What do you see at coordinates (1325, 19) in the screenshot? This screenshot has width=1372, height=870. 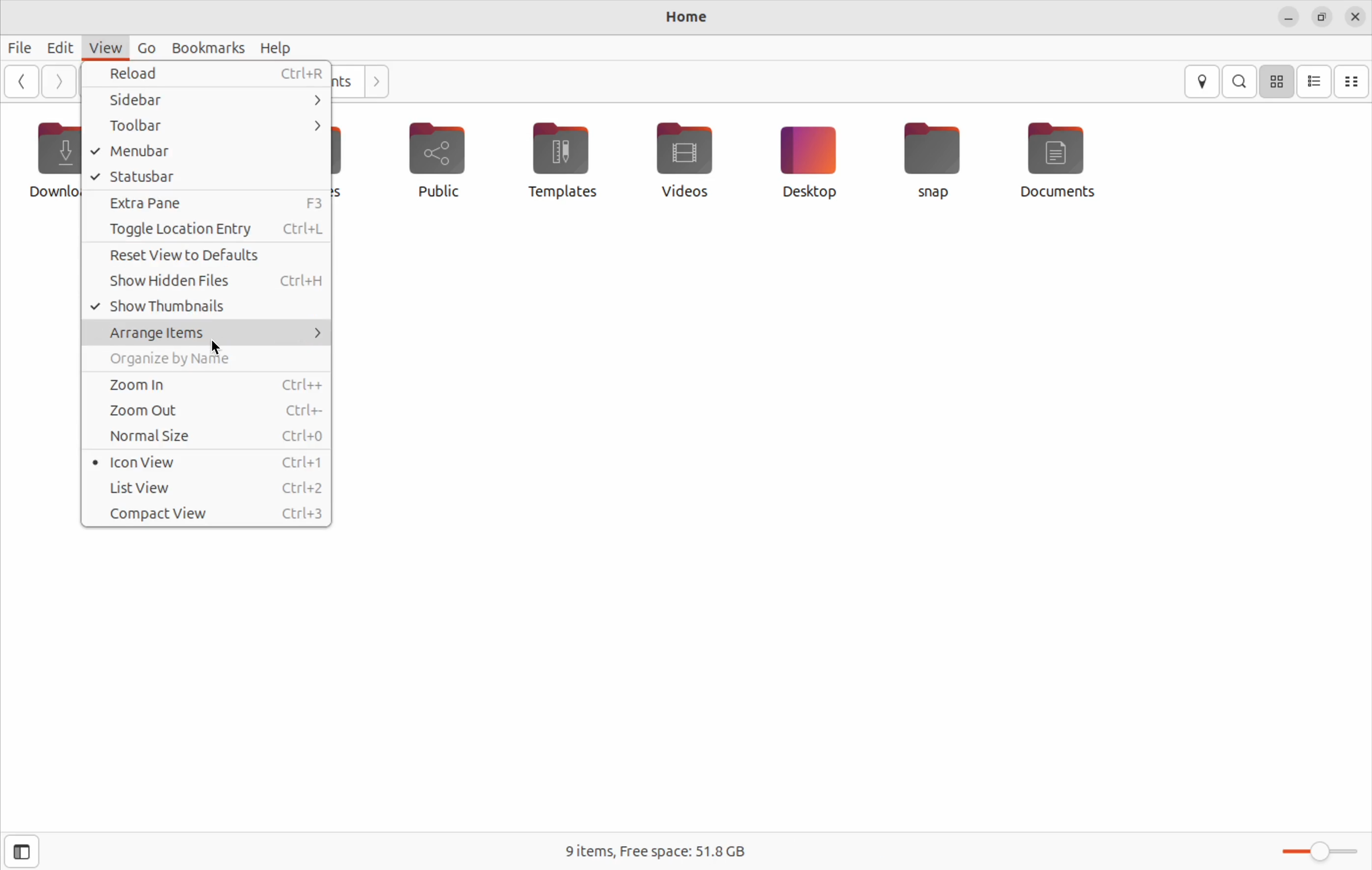 I see `resize` at bounding box center [1325, 19].